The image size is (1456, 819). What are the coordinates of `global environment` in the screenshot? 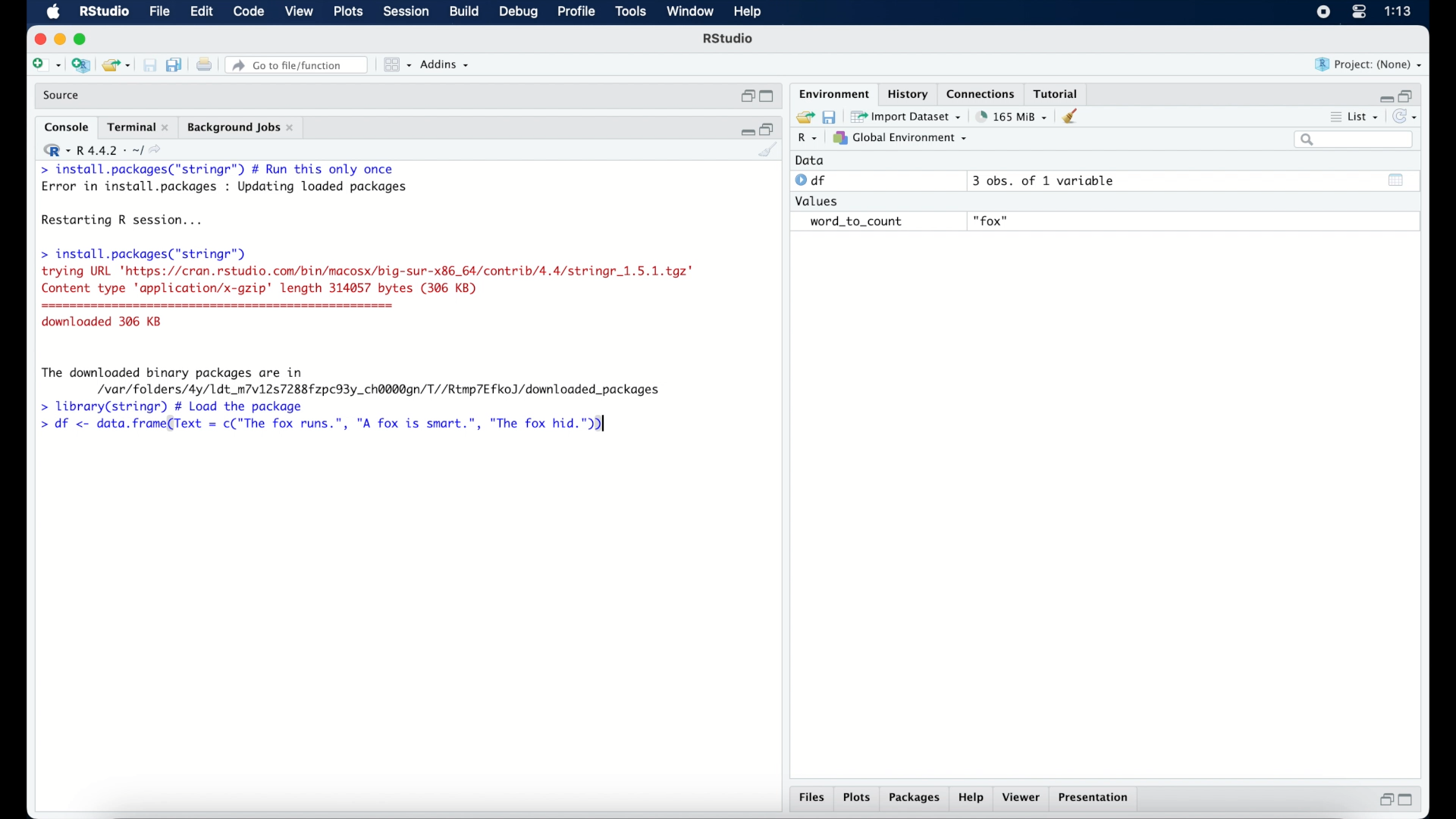 It's located at (900, 137).